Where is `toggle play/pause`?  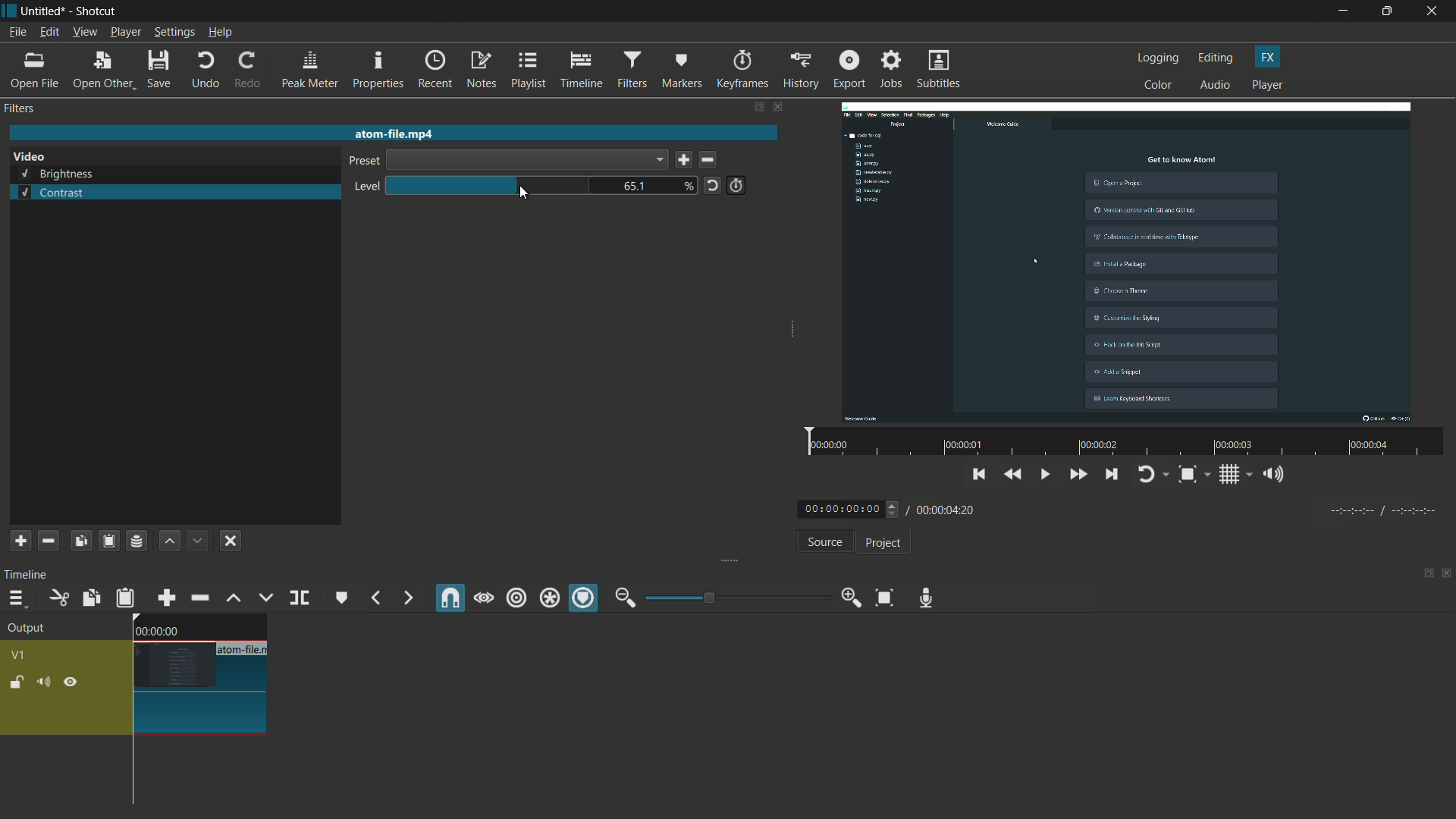
toggle play/pause is located at coordinates (1047, 475).